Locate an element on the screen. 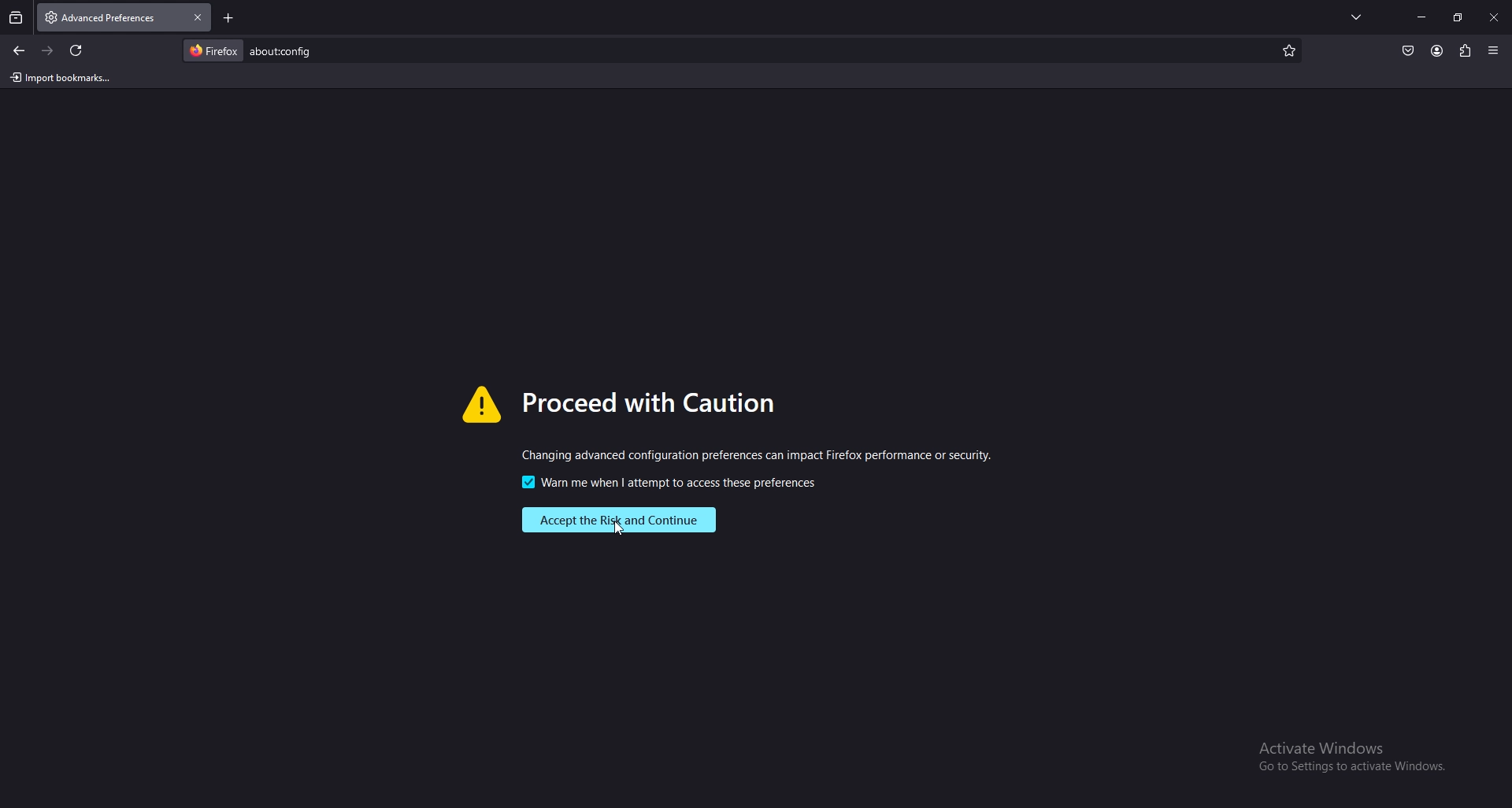  minimize is located at coordinates (1422, 17).